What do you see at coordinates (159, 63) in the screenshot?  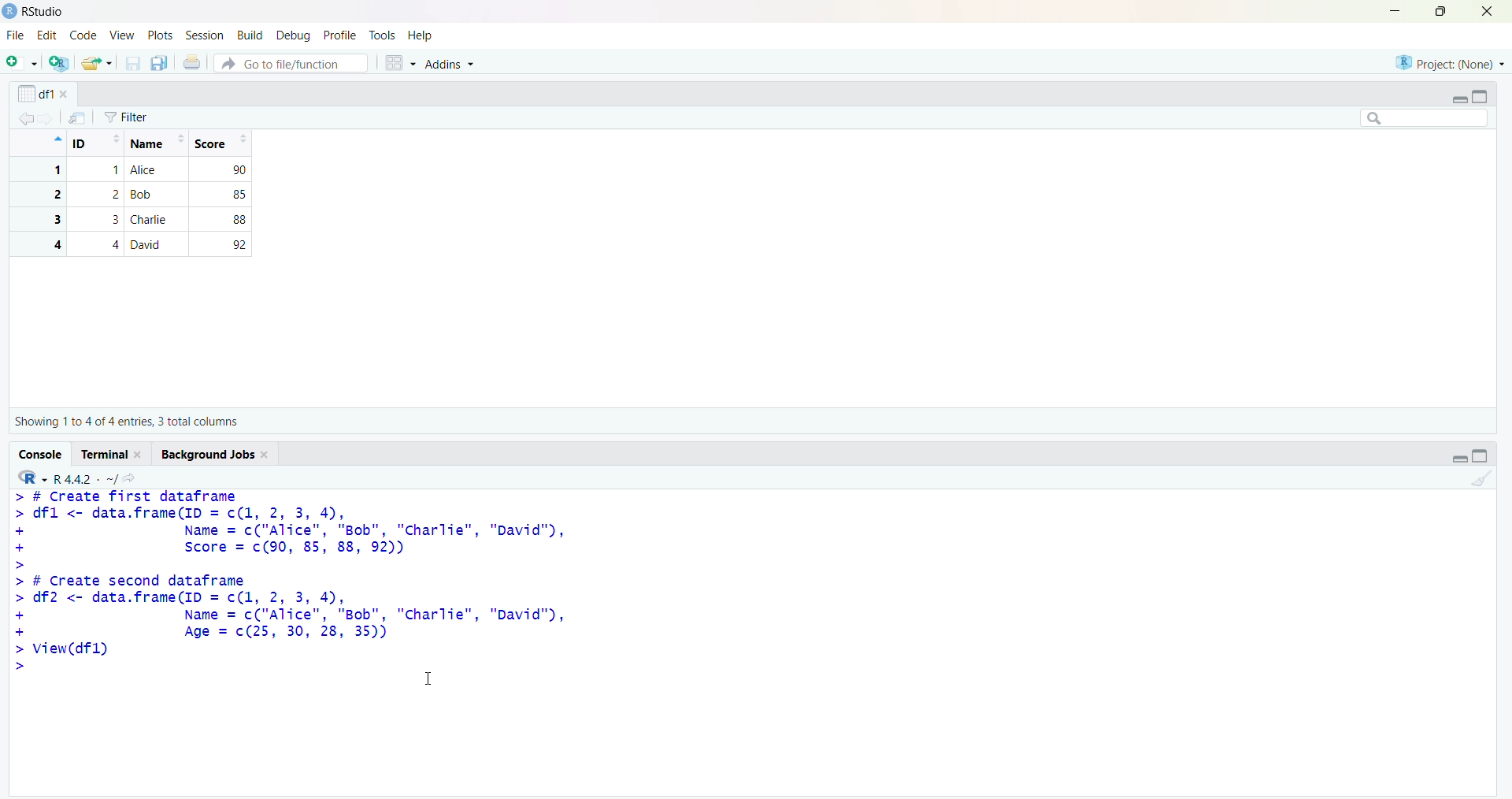 I see `copy` at bounding box center [159, 63].